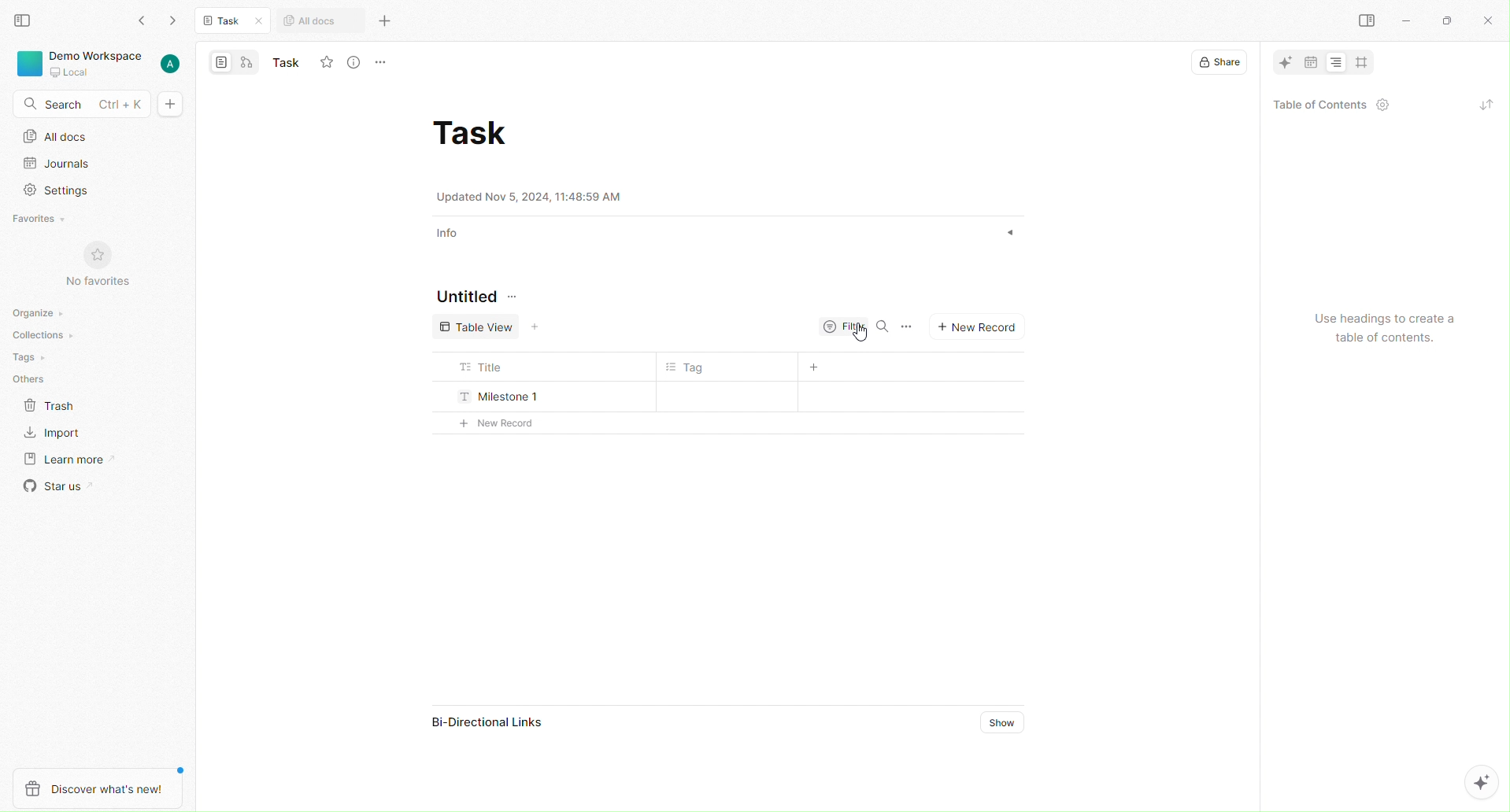 This screenshot has height=812, width=1510. What do you see at coordinates (387, 21) in the screenshot?
I see `More` at bounding box center [387, 21].